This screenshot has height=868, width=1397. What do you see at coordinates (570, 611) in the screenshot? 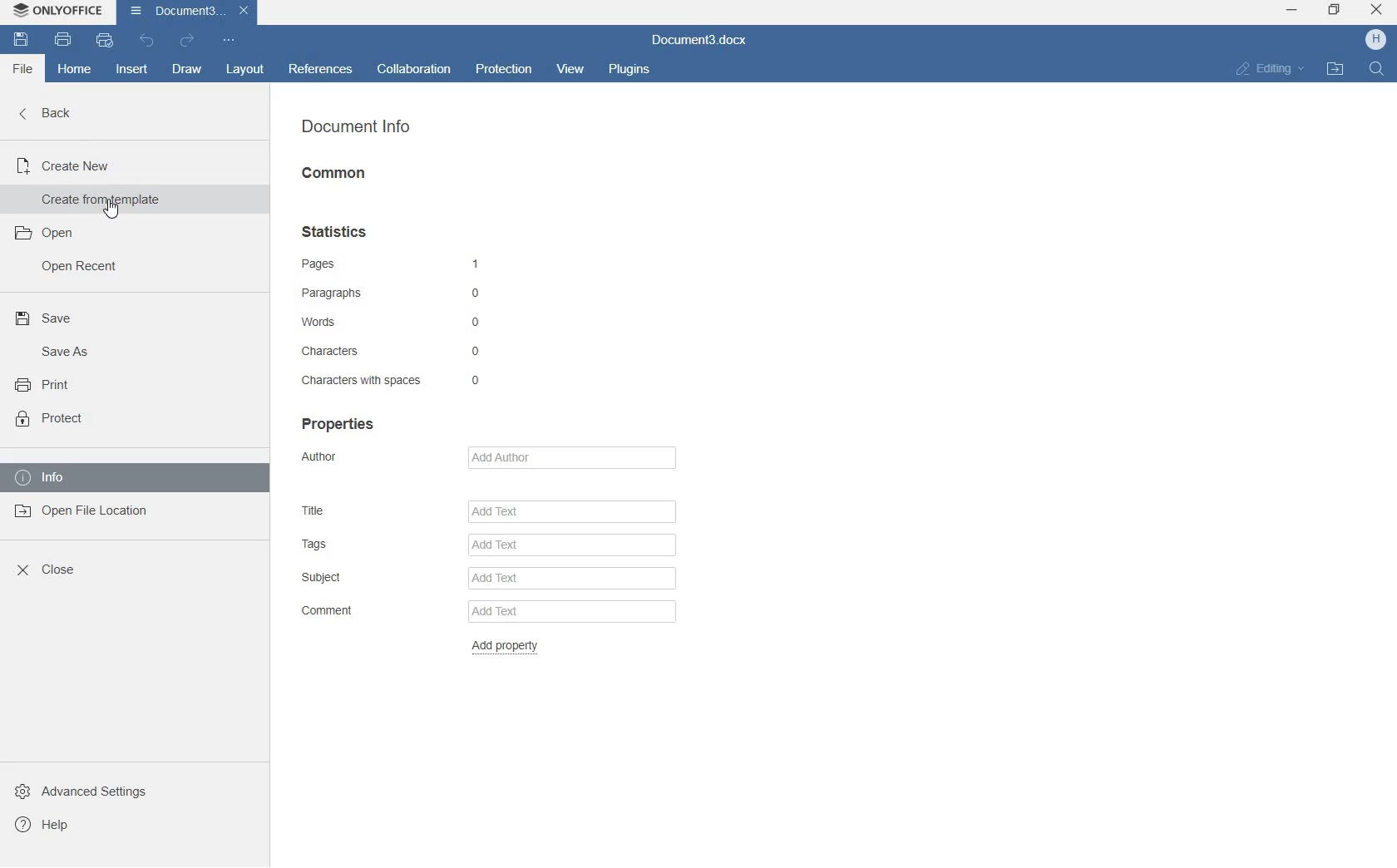
I see `add text` at bounding box center [570, 611].